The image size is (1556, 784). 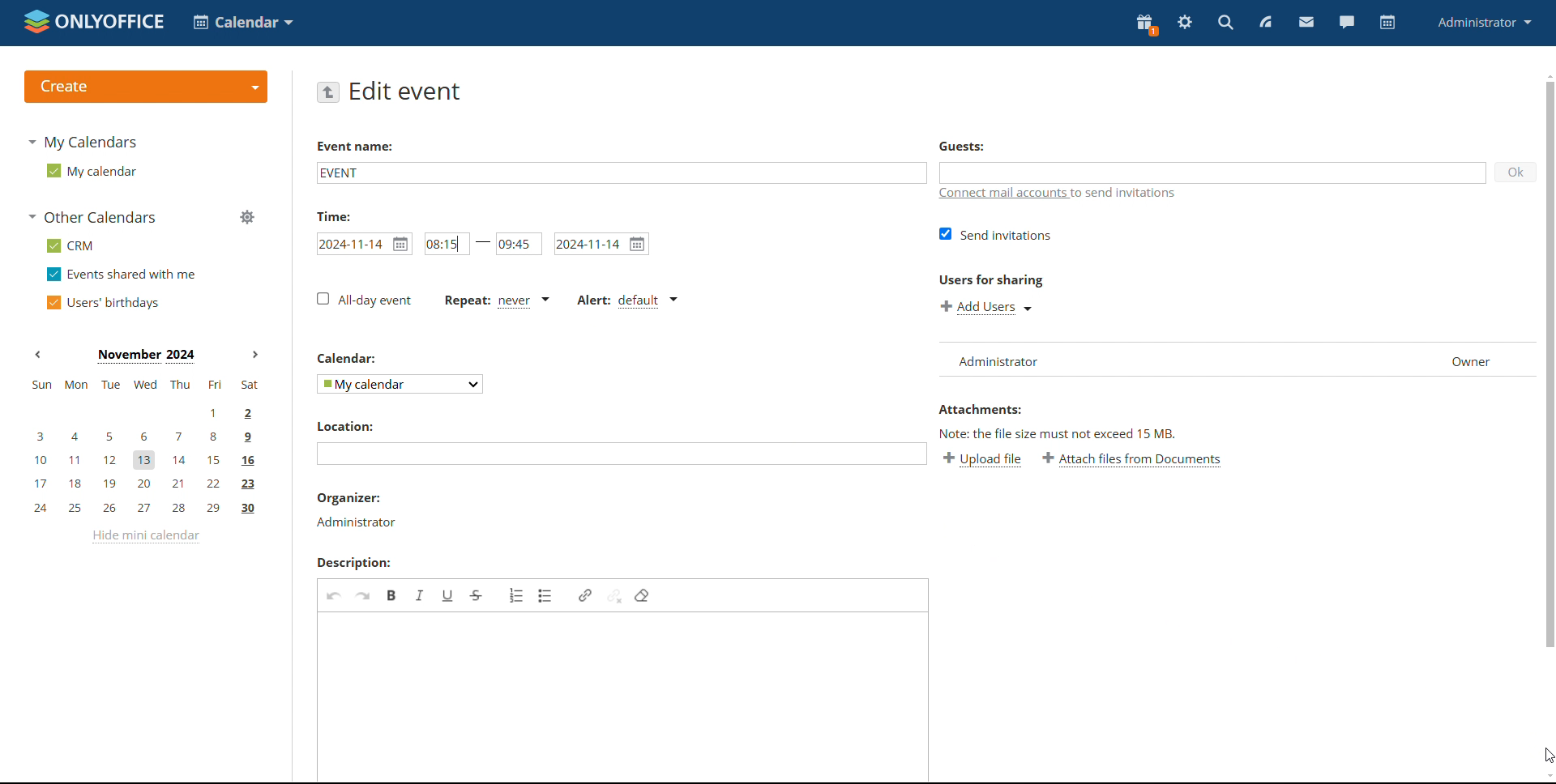 What do you see at coordinates (1170, 359) in the screenshot?
I see `list of users` at bounding box center [1170, 359].